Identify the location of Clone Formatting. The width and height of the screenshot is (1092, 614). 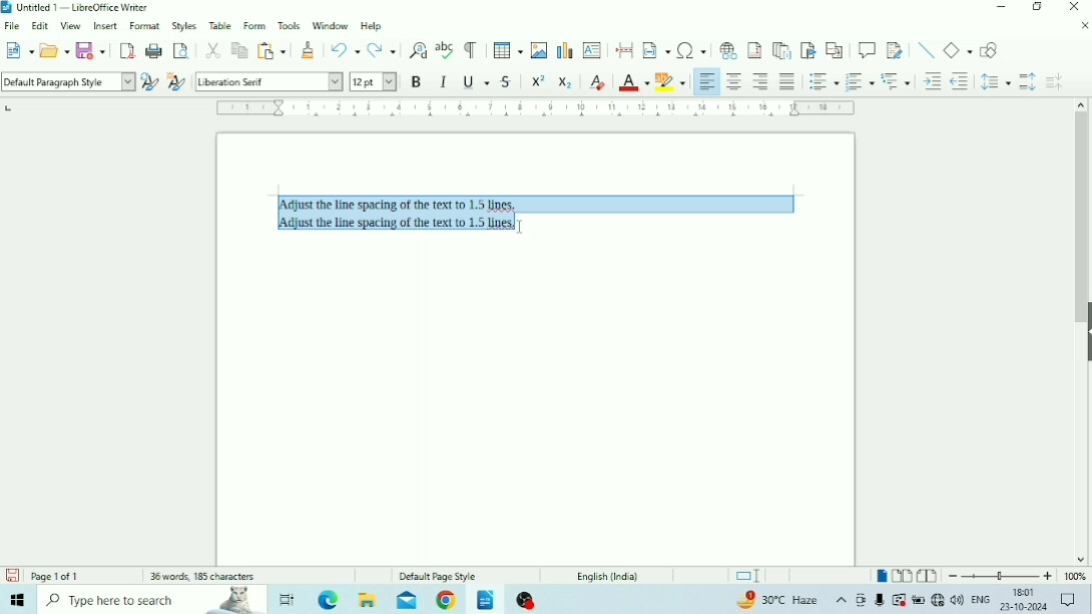
(308, 50).